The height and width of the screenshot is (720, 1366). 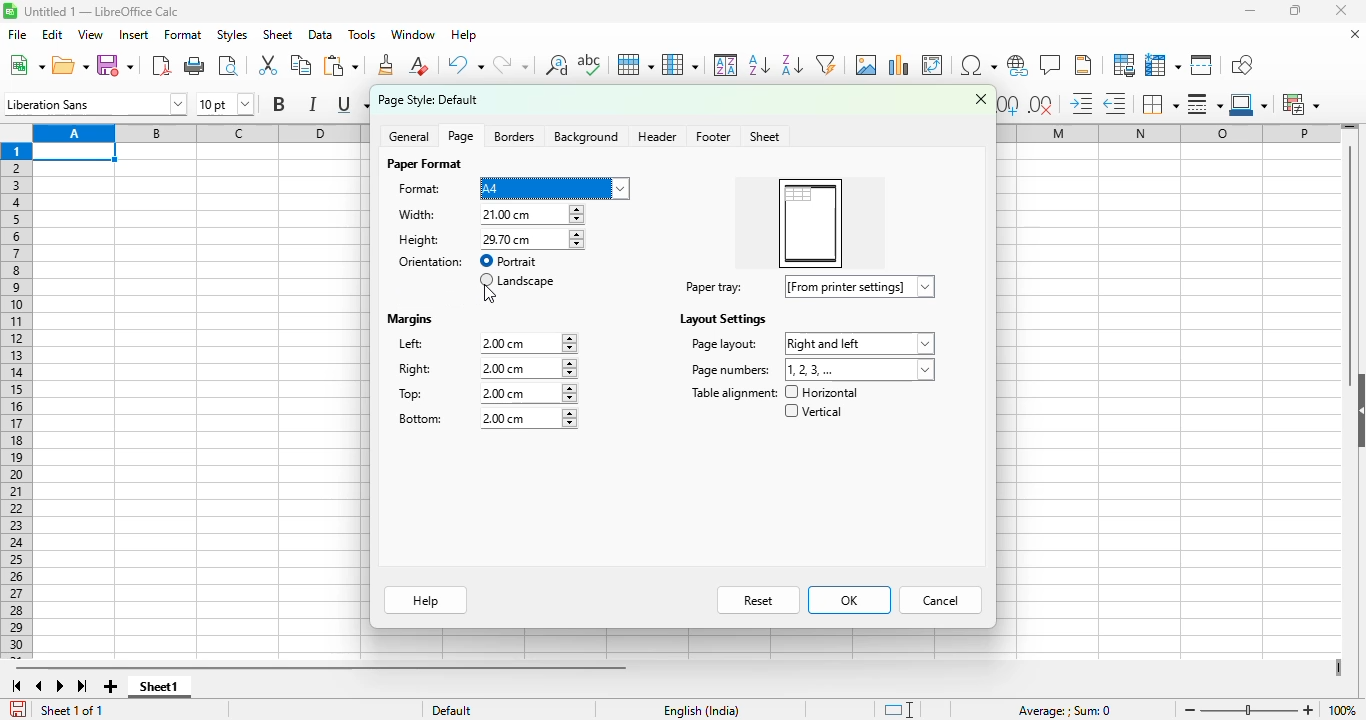 What do you see at coordinates (1204, 104) in the screenshot?
I see `border style` at bounding box center [1204, 104].